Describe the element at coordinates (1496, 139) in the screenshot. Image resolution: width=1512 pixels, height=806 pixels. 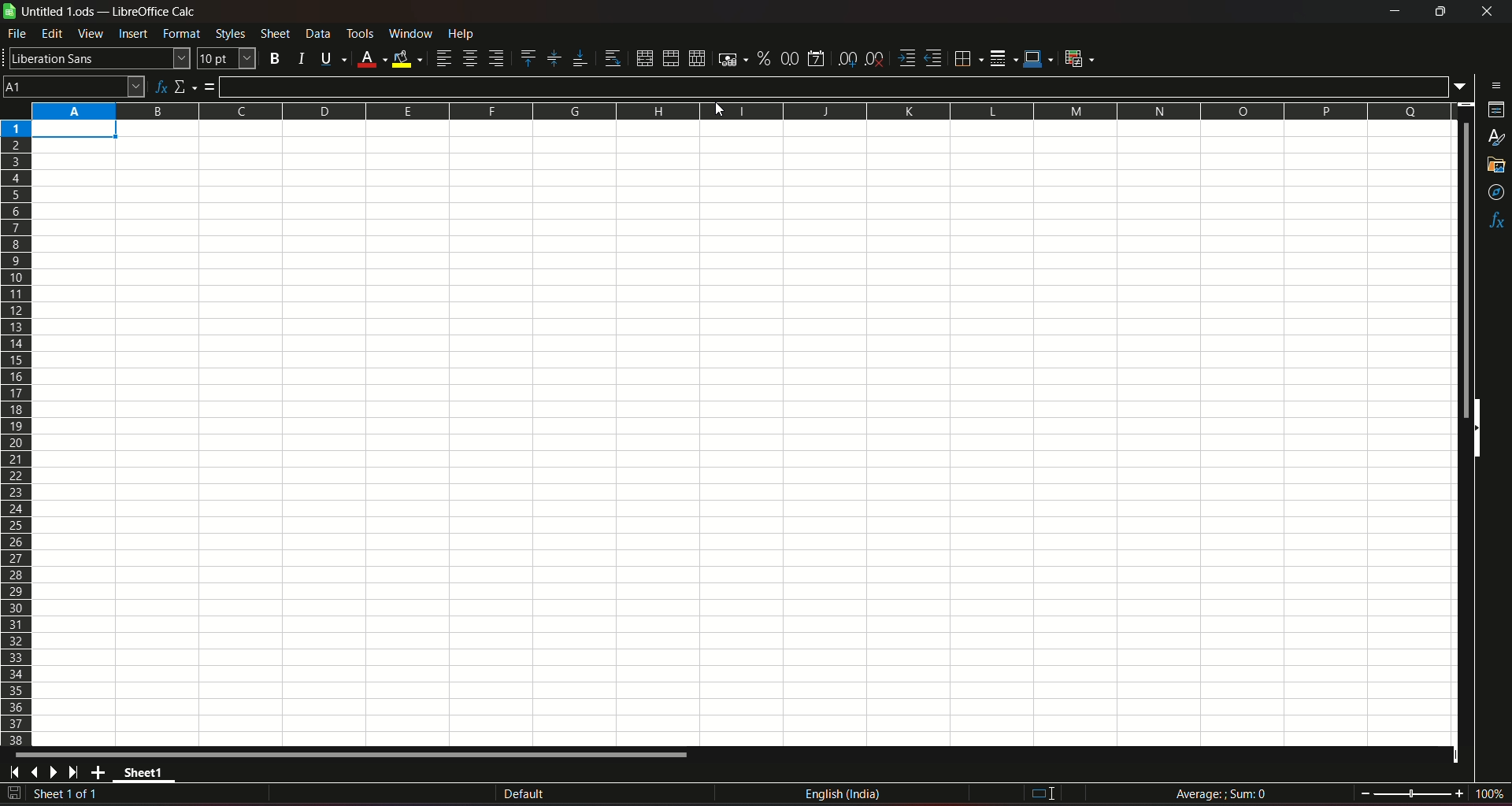
I see `styles` at that location.